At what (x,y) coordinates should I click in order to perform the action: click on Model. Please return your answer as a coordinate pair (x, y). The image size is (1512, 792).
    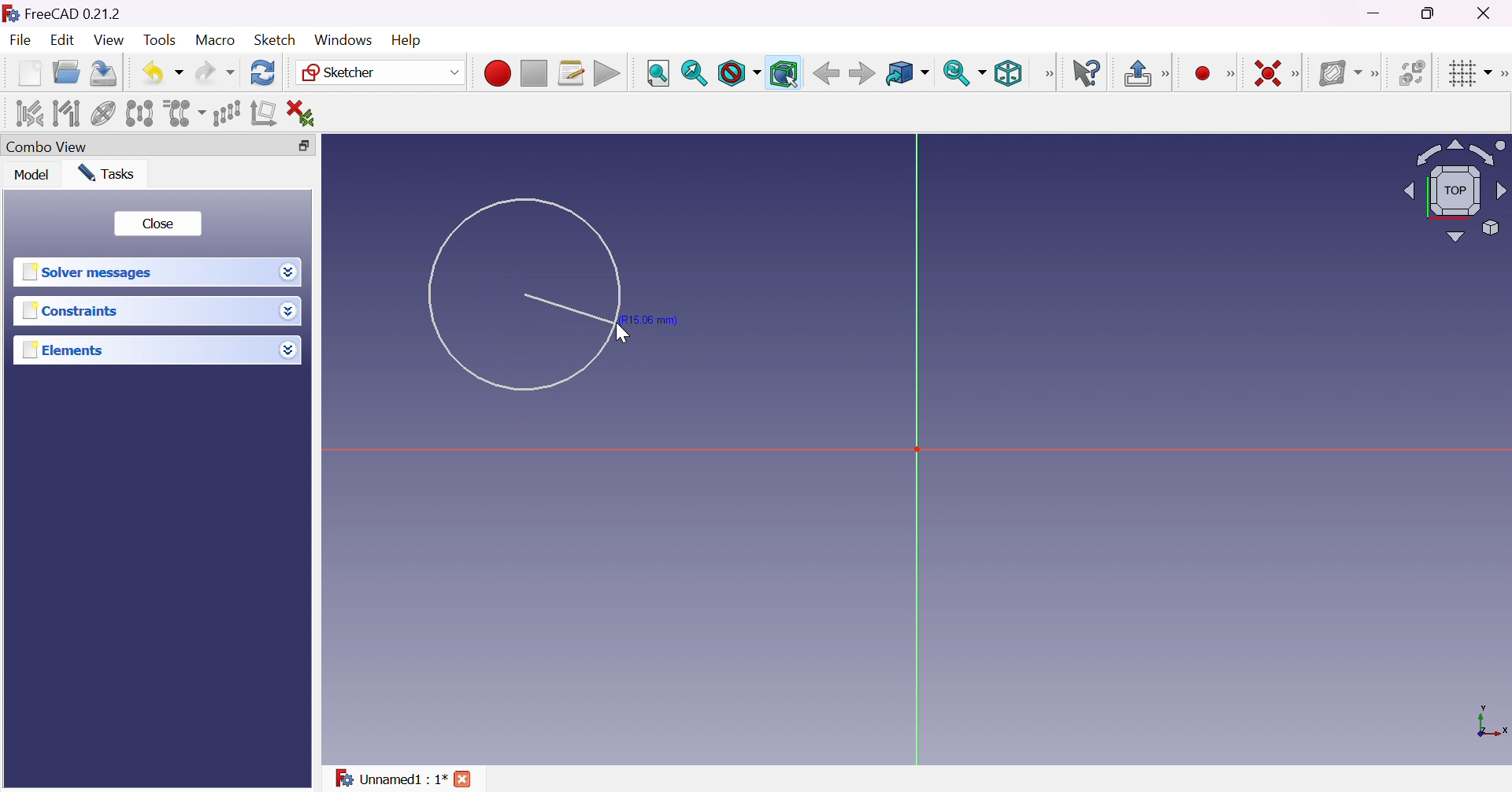
    Looking at the image, I should click on (31, 175).